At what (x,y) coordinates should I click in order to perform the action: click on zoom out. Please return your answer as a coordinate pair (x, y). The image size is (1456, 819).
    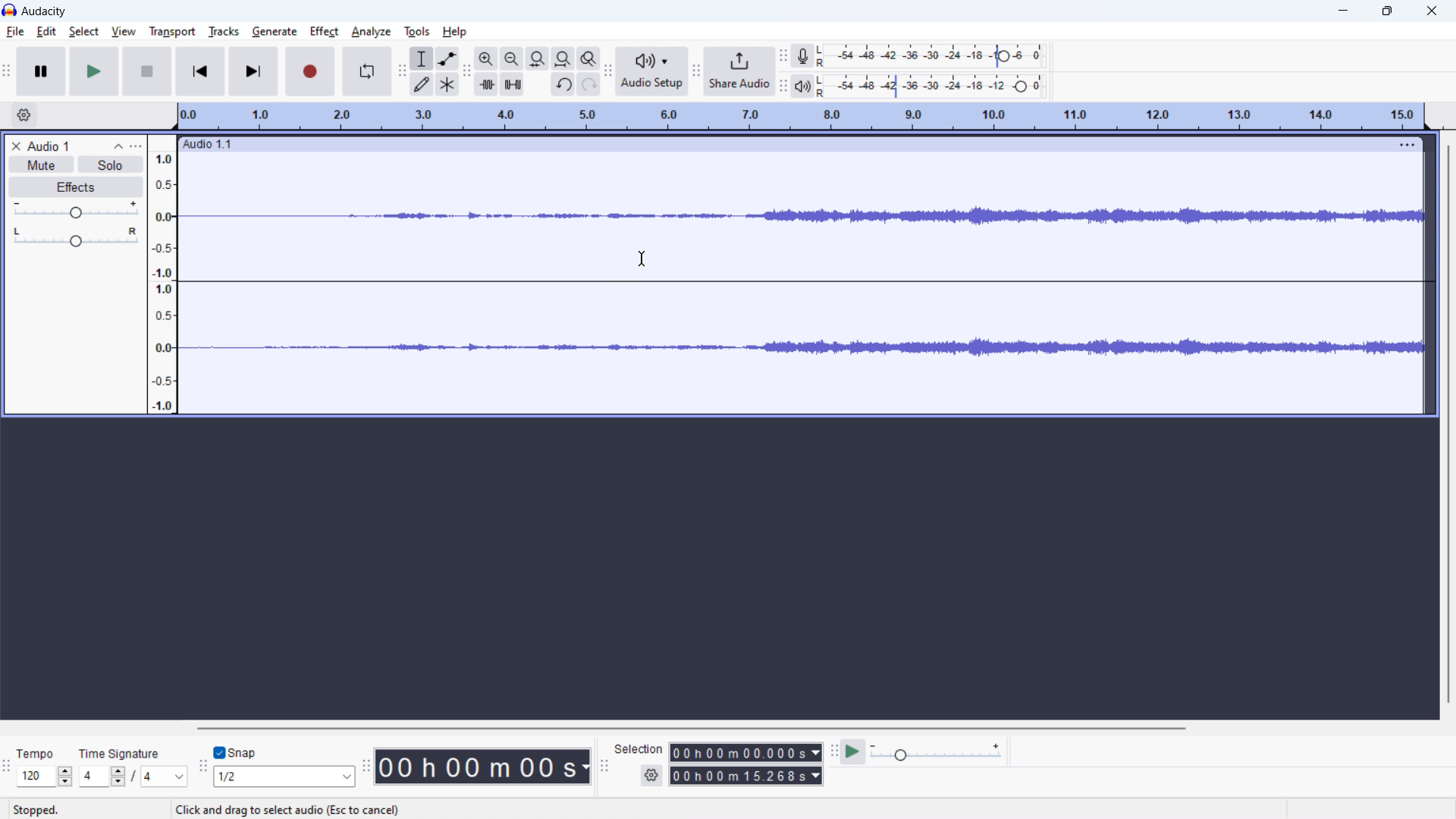
    Looking at the image, I should click on (511, 58).